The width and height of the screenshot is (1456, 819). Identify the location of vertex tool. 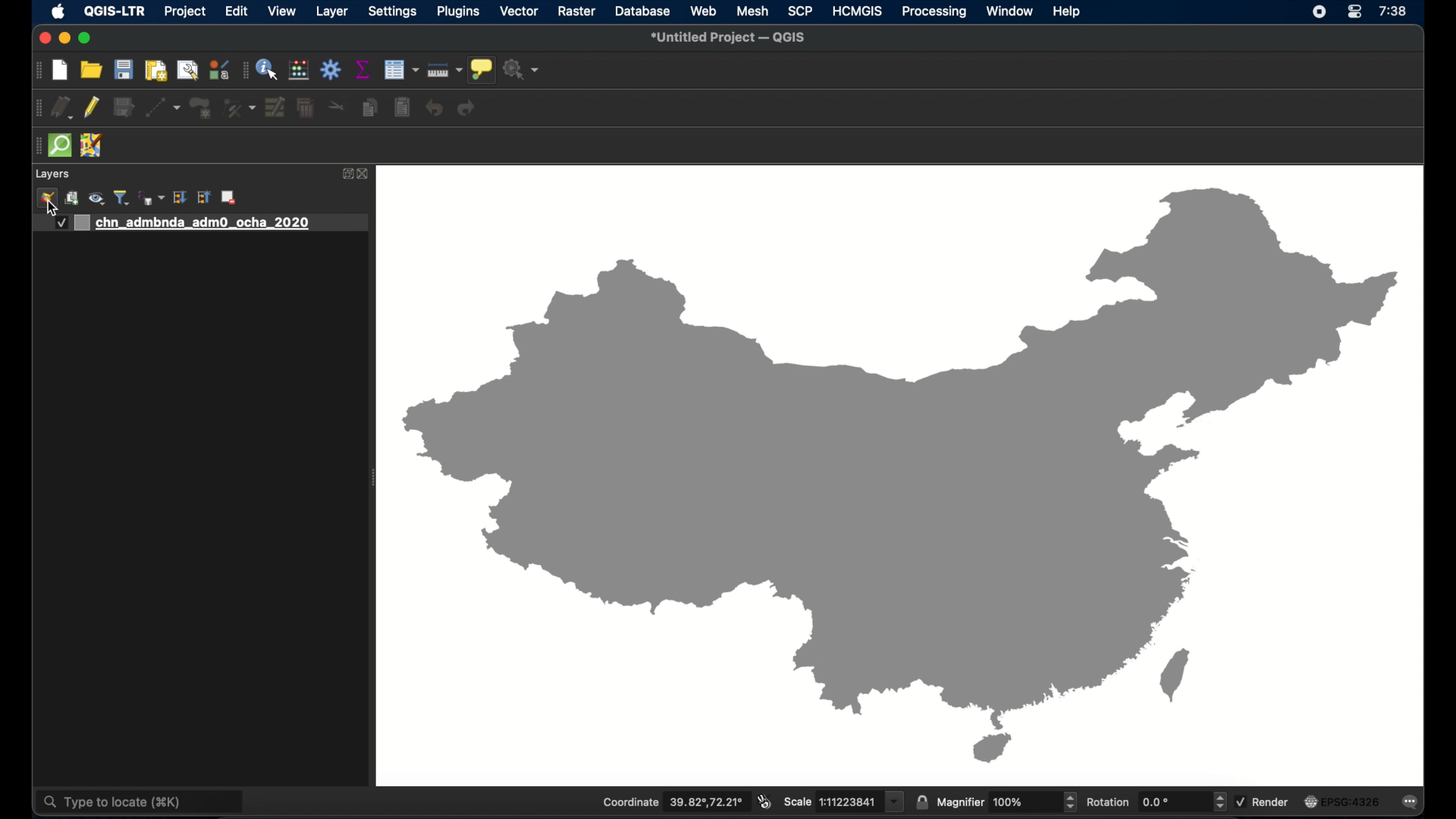
(239, 108).